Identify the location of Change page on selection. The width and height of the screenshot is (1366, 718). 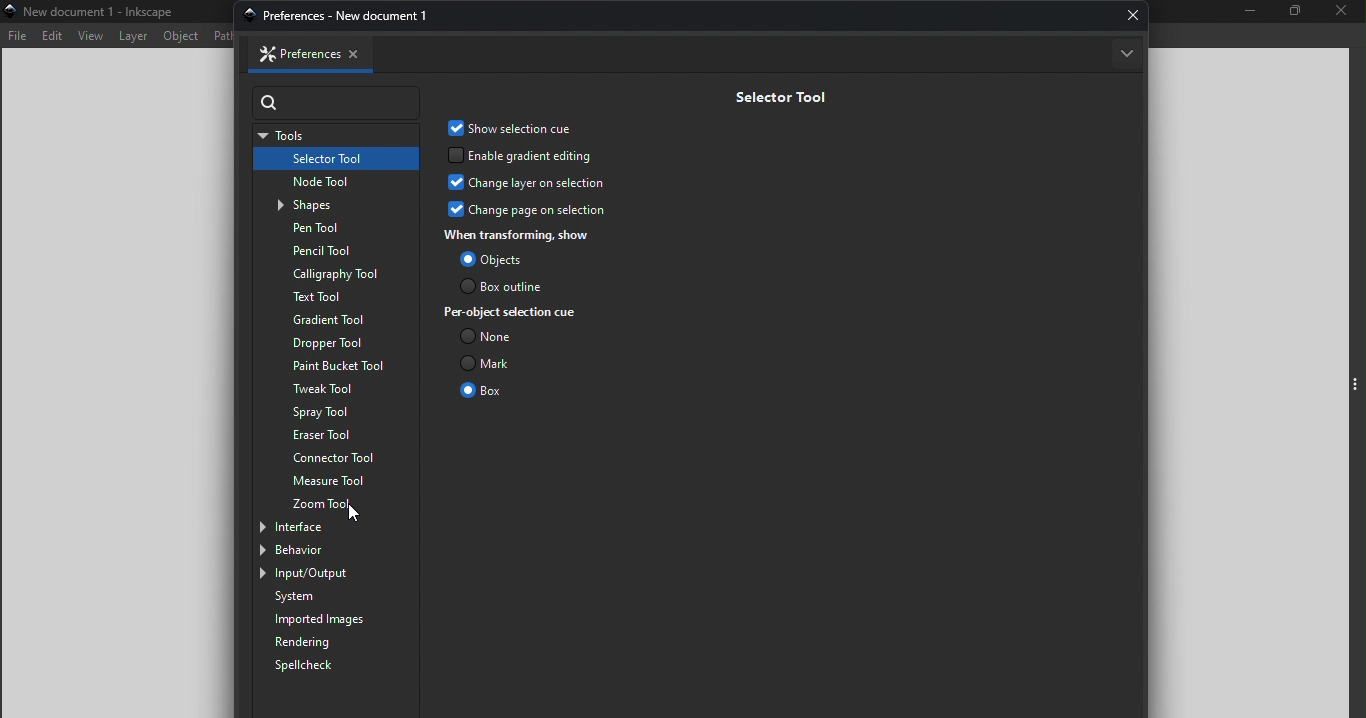
(535, 211).